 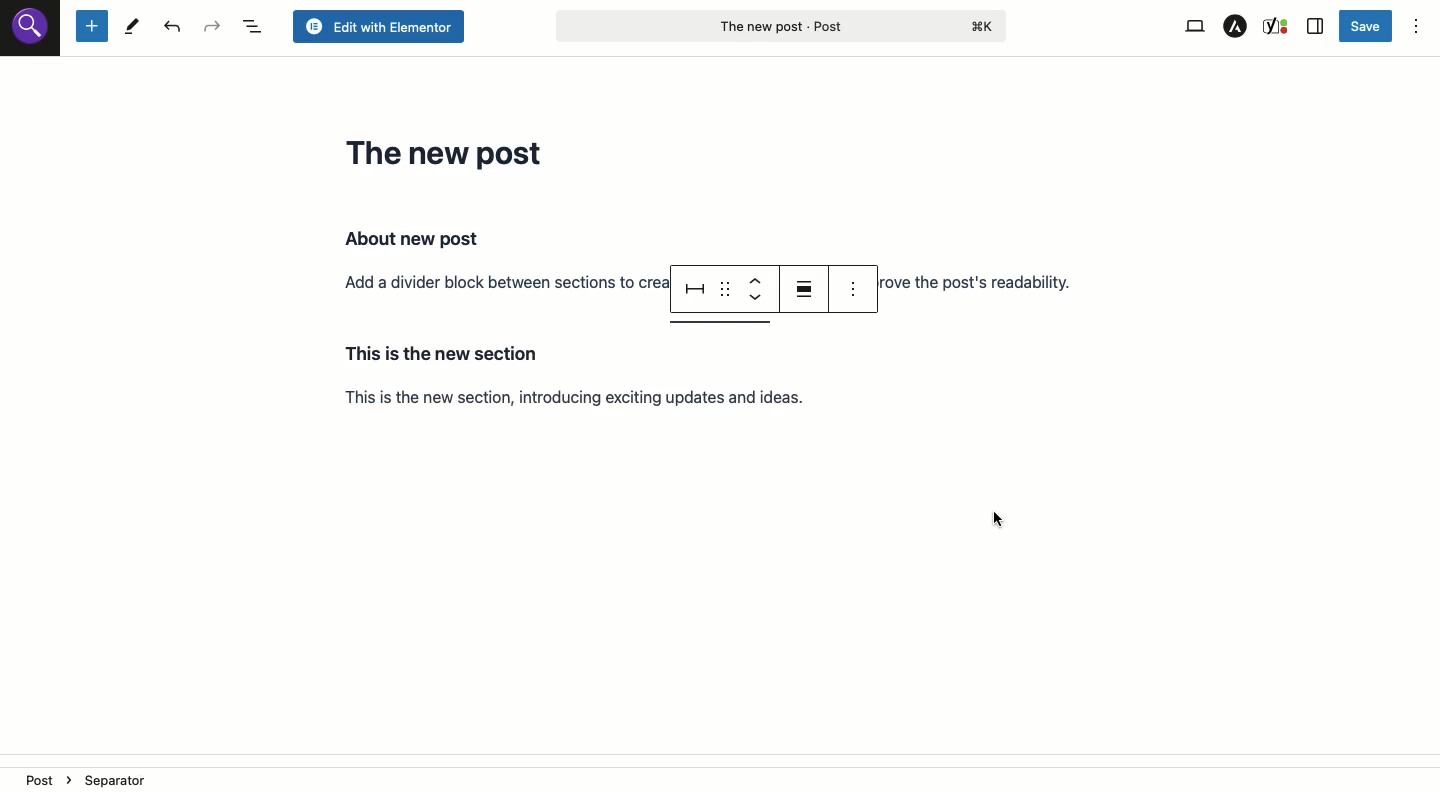 I want to click on Yoast, so click(x=1277, y=25).